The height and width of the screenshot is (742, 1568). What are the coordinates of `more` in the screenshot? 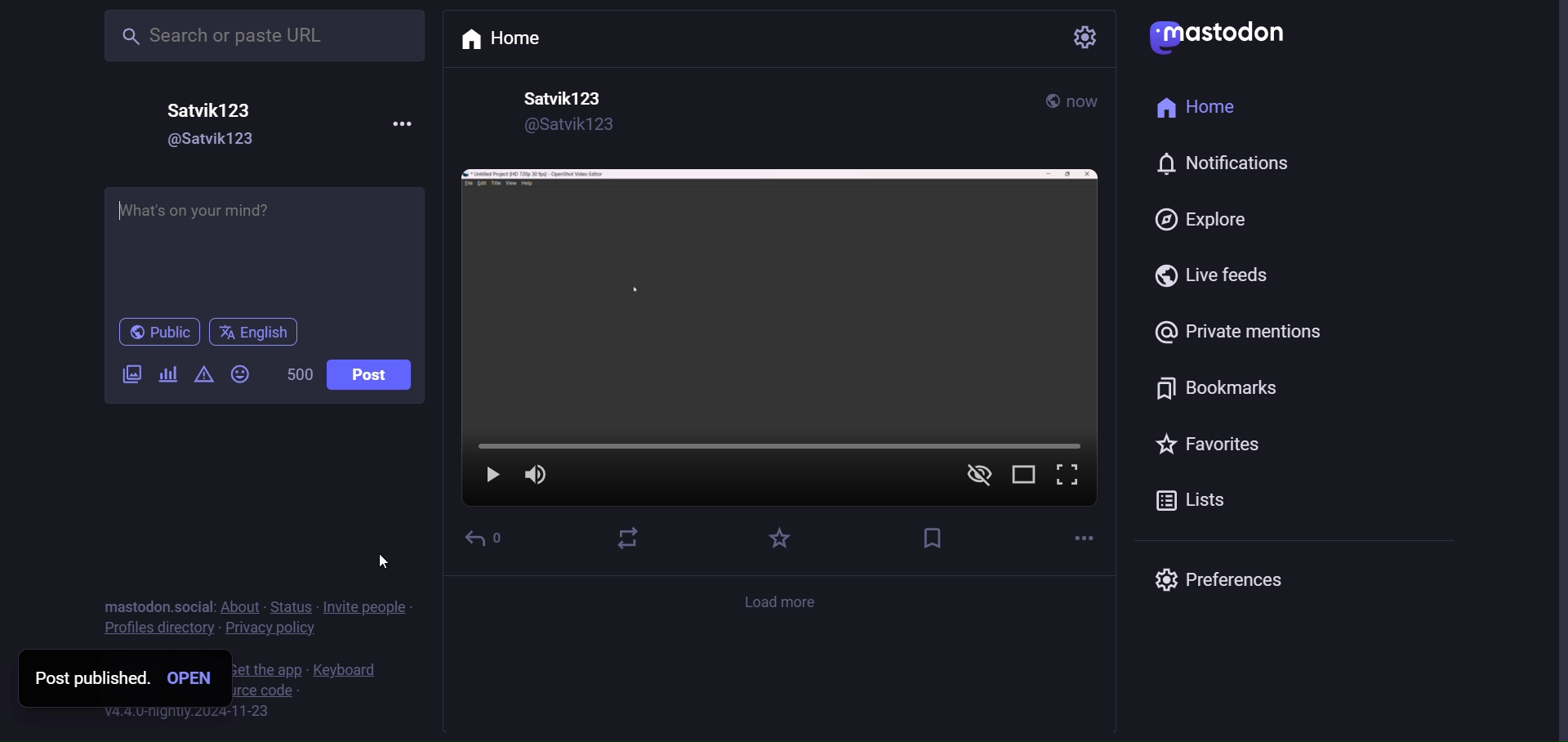 It's located at (1082, 536).